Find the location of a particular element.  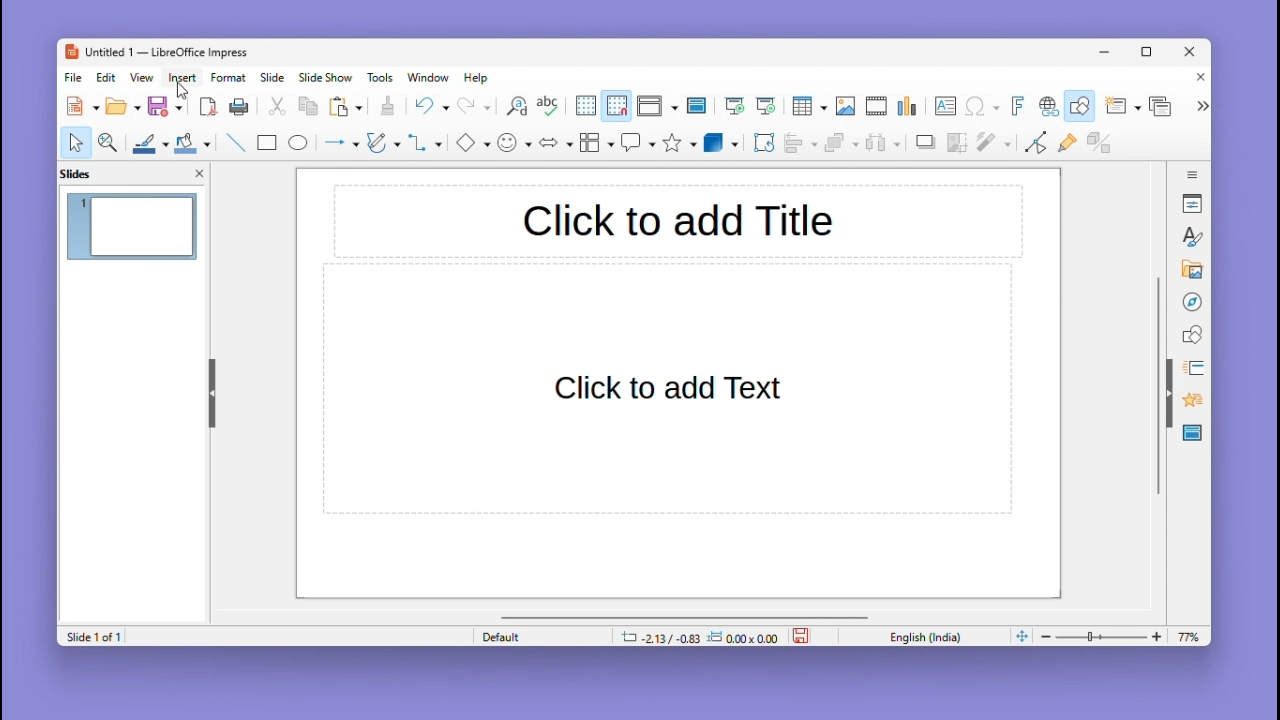

close is located at coordinates (199, 172).